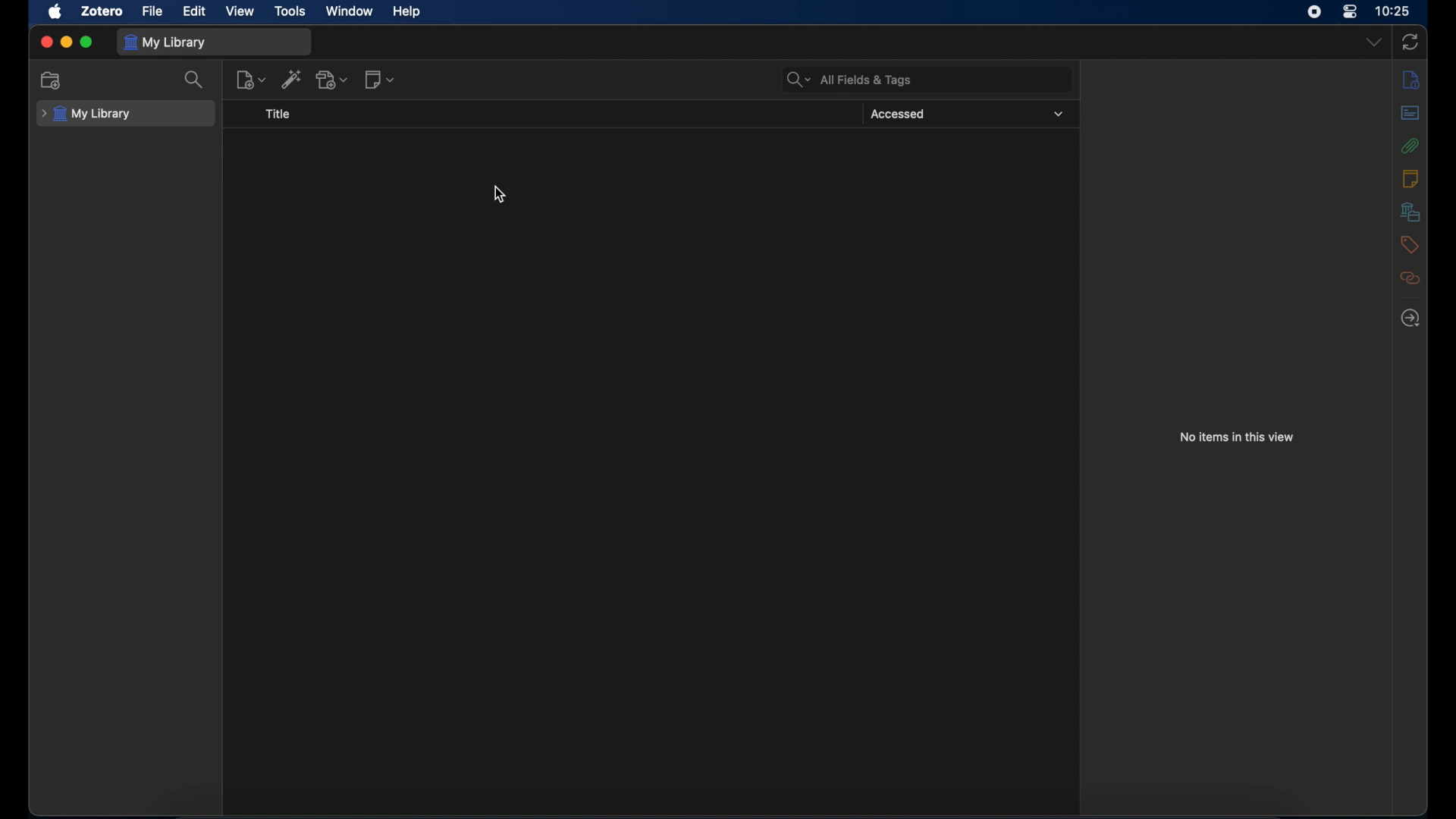  What do you see at coordinates (1410, 177) in the screenshot?
I see `notes` at bounding box center [1410, 177].